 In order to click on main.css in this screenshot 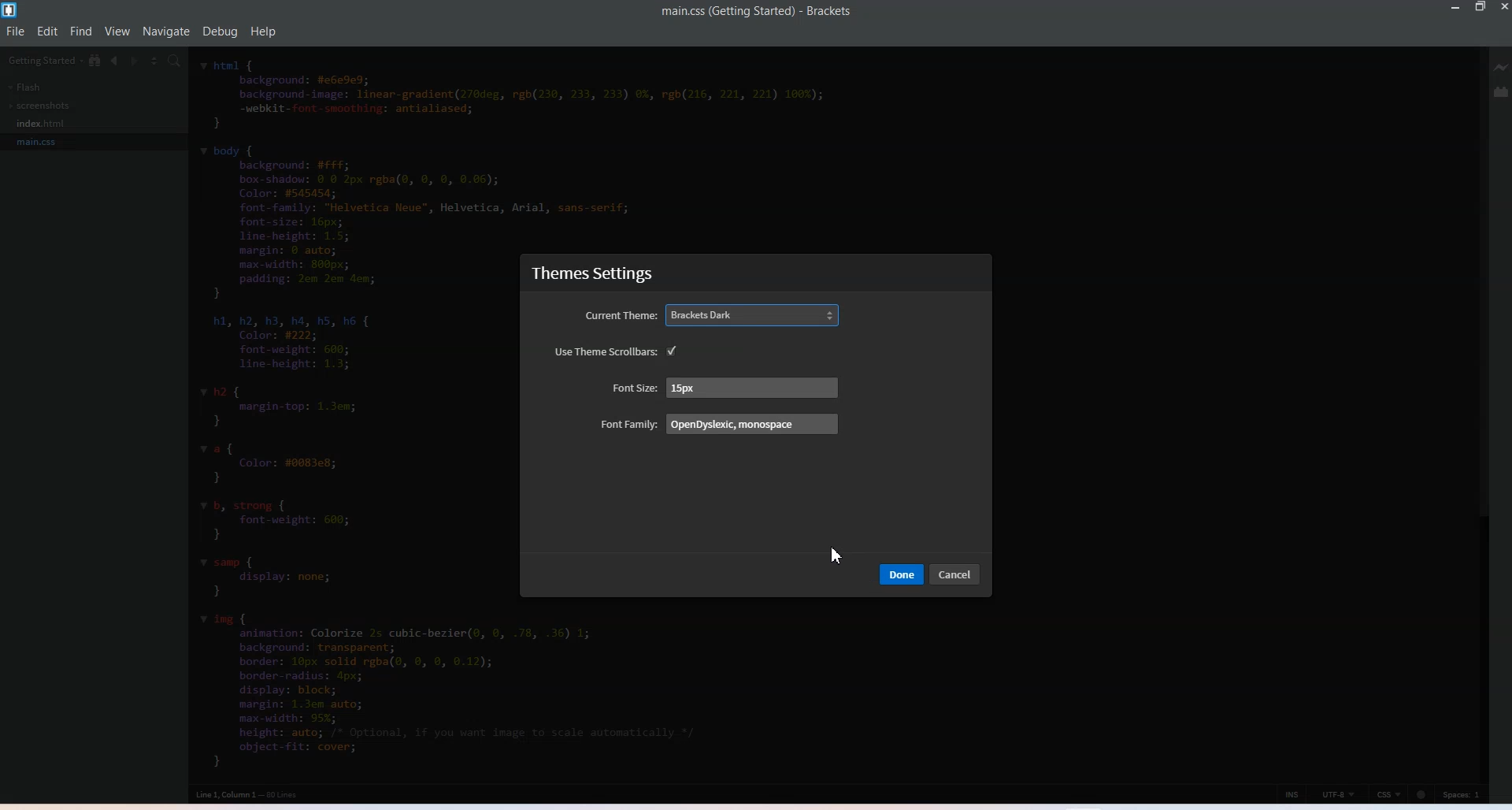, I will do `click(41, 142)`.